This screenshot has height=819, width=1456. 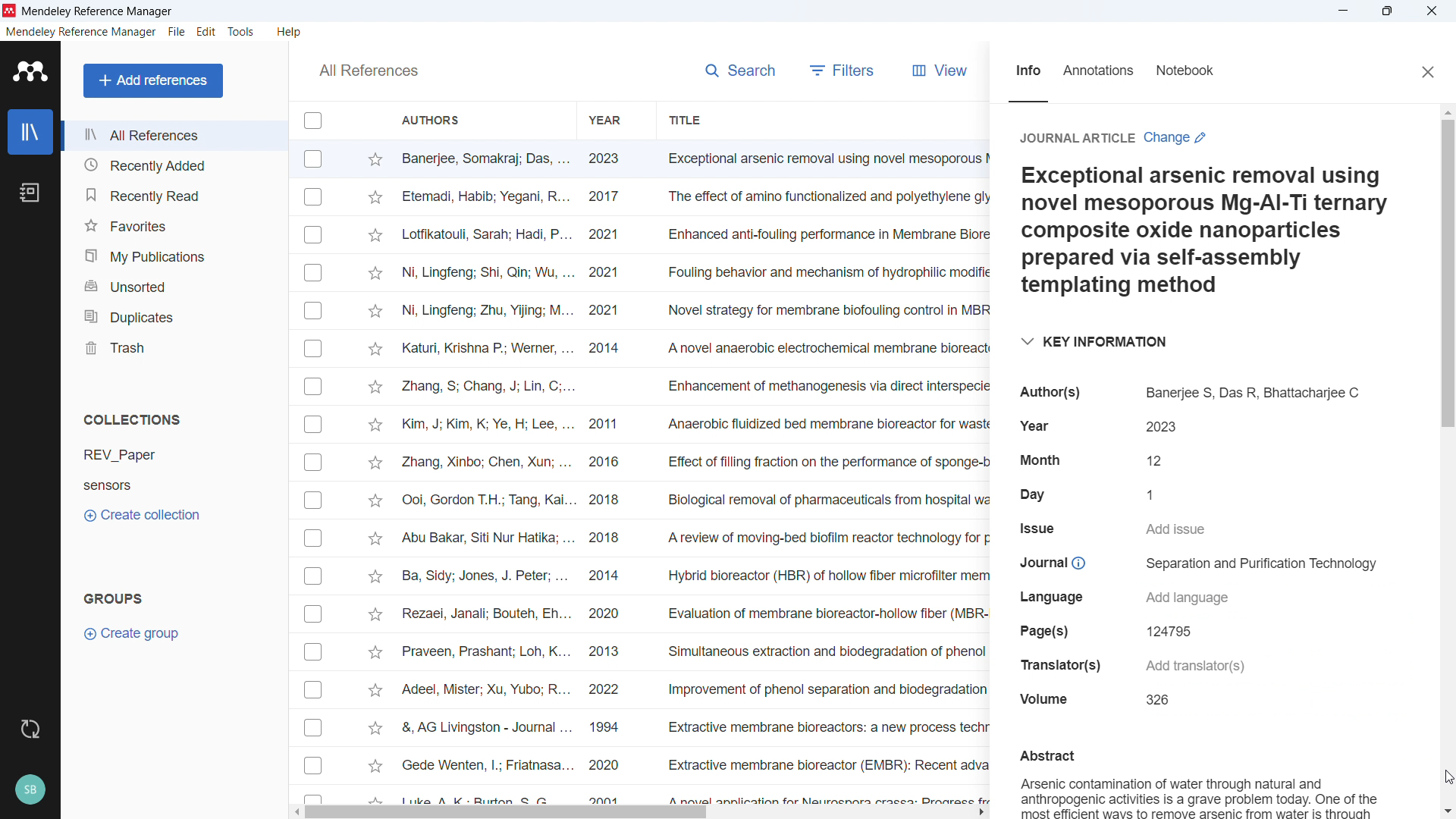 What do you see at coordinates (312, 234) in the screenshot?
I see `click to select individual entry` at bounding box center [312, 234].